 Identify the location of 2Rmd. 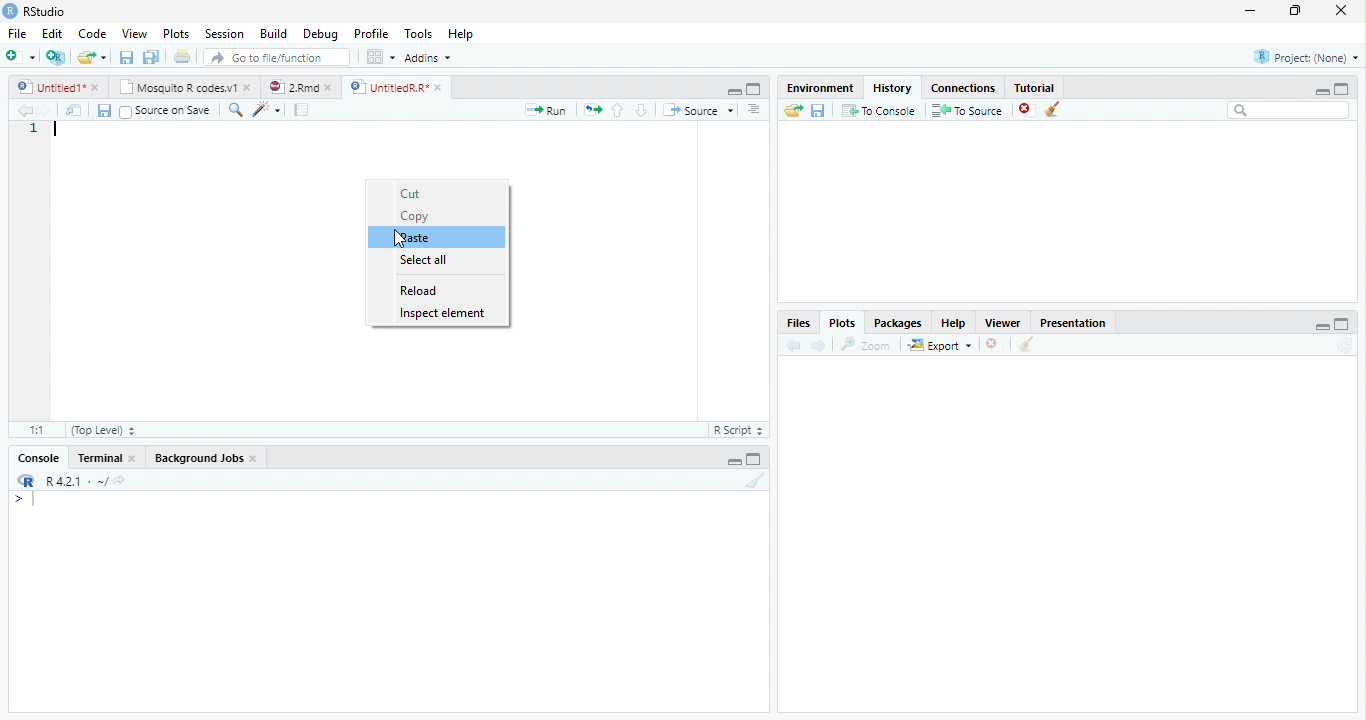
(292, 86).